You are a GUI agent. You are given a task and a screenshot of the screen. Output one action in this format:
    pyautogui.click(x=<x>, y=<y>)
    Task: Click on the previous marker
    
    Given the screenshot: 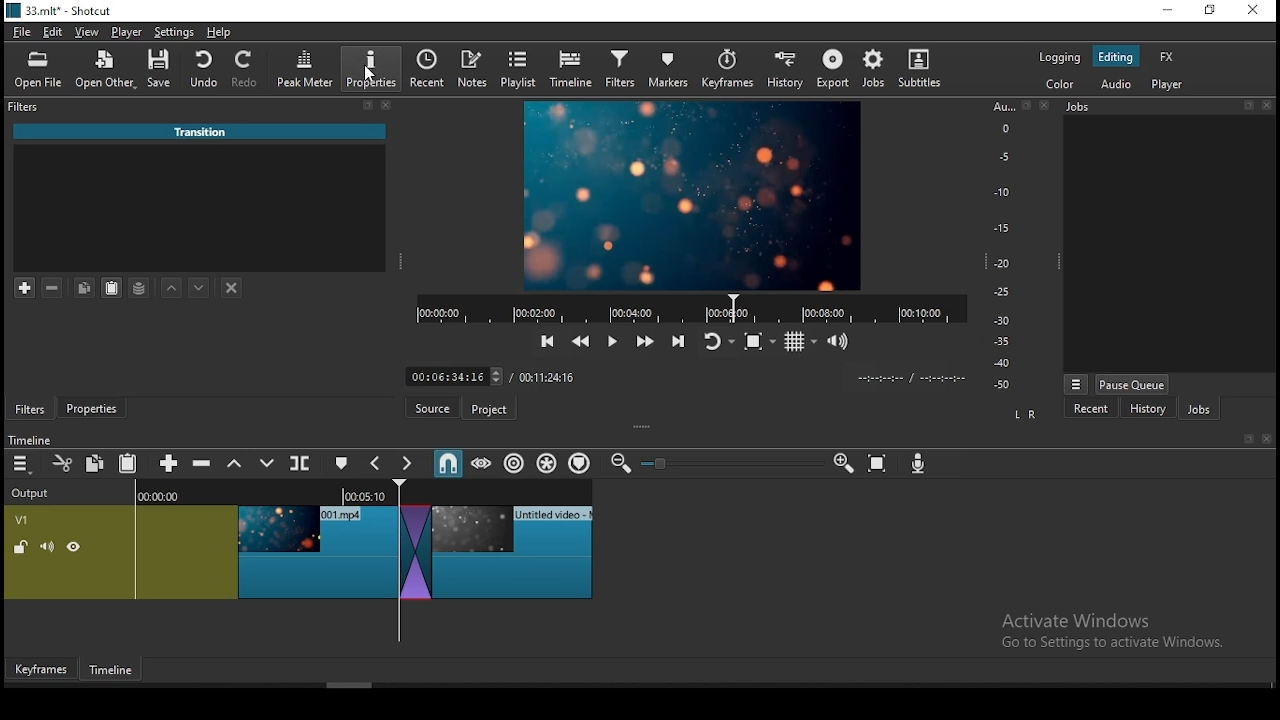 What is the action you would take?
    pyautogui.click(x=377, y=463)
    